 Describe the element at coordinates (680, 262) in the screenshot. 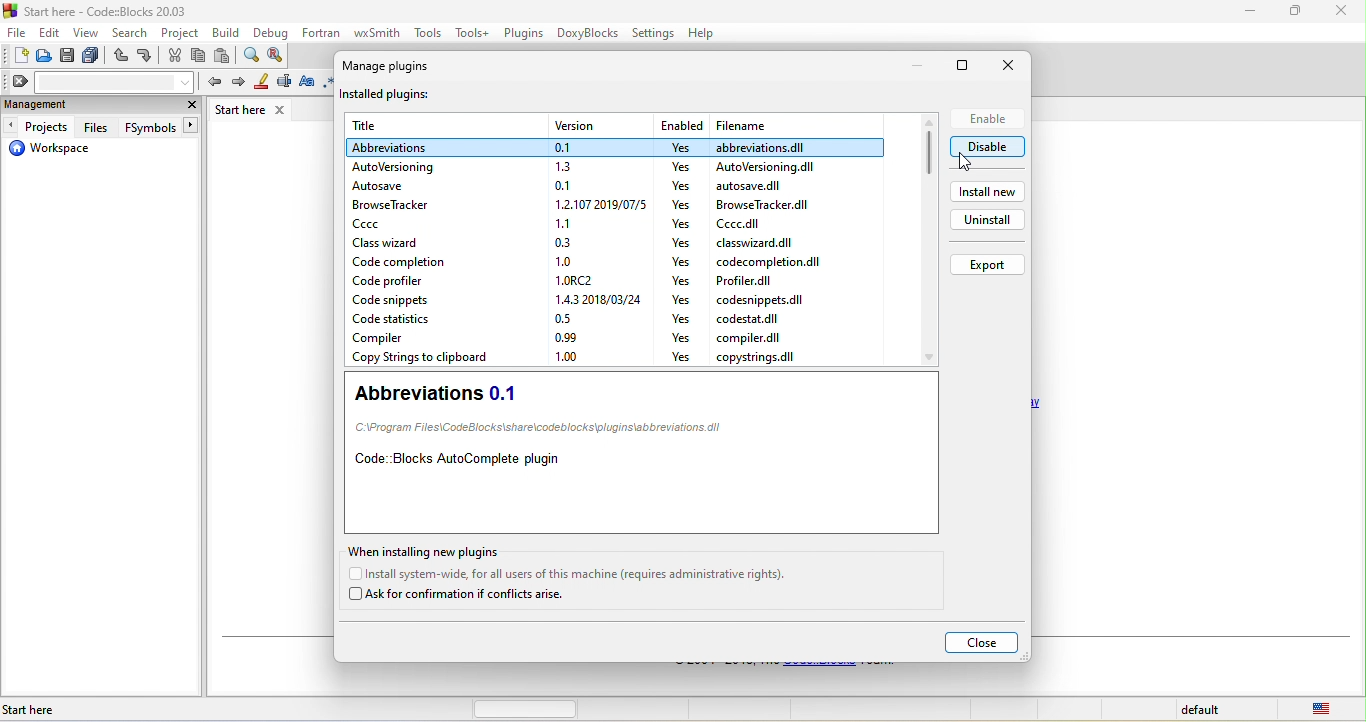

I see `yes` at that location.